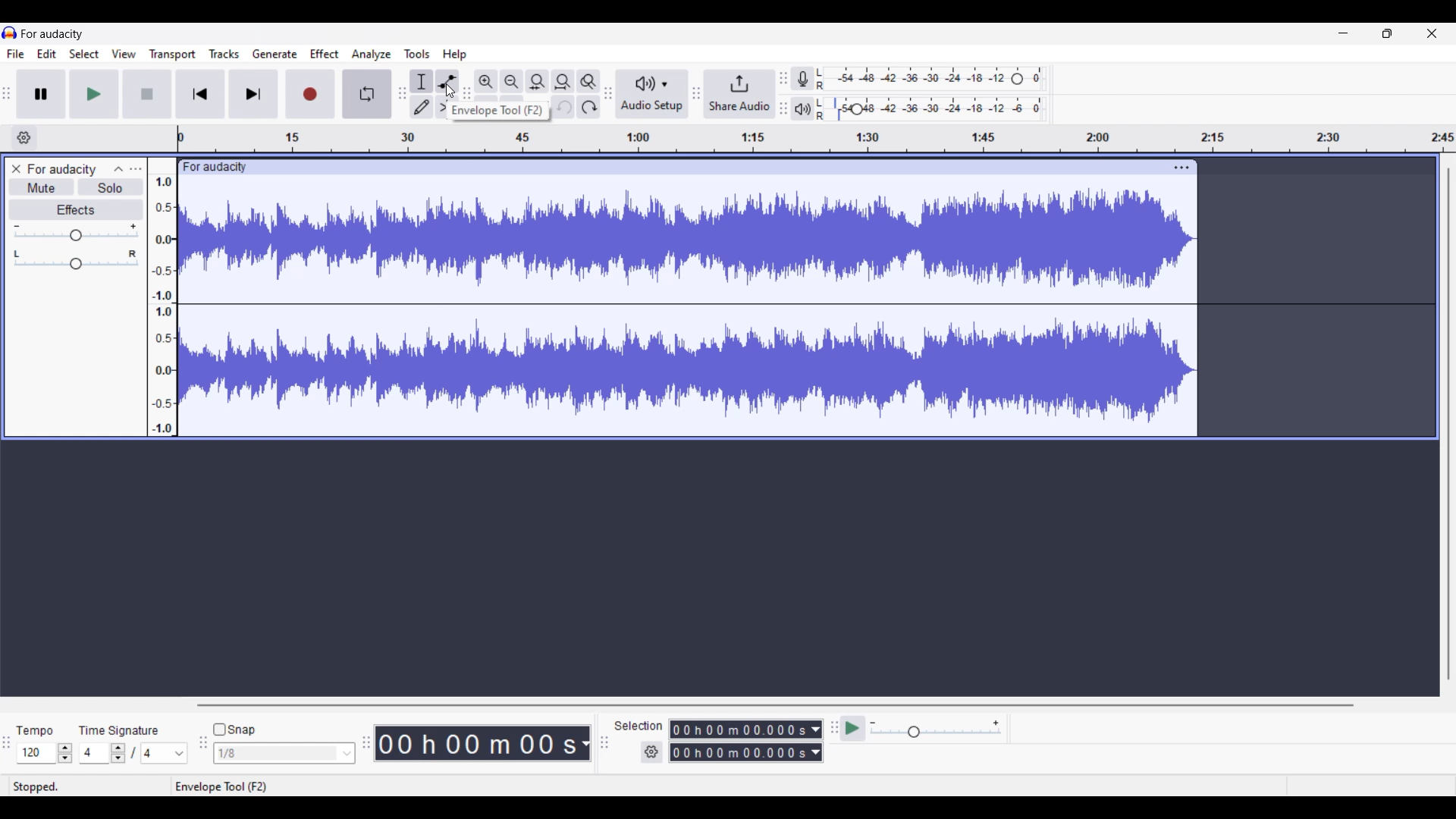 The height and width of the screenshot is (819, 1456). Describe the element at coordinates (41, 94) in the screenshot. I see `Pause` at that location.